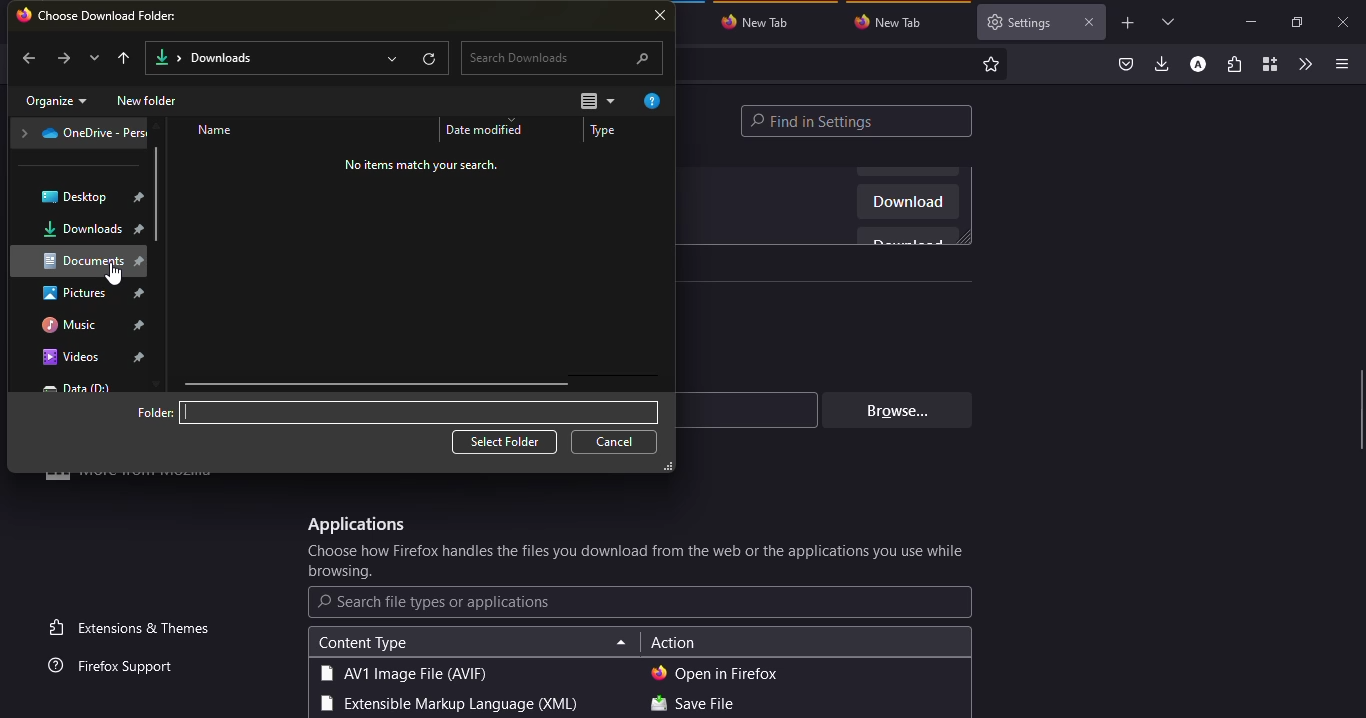  Describe the element at coordinates (77, 197) in the screenshot. I see `location` at that location.